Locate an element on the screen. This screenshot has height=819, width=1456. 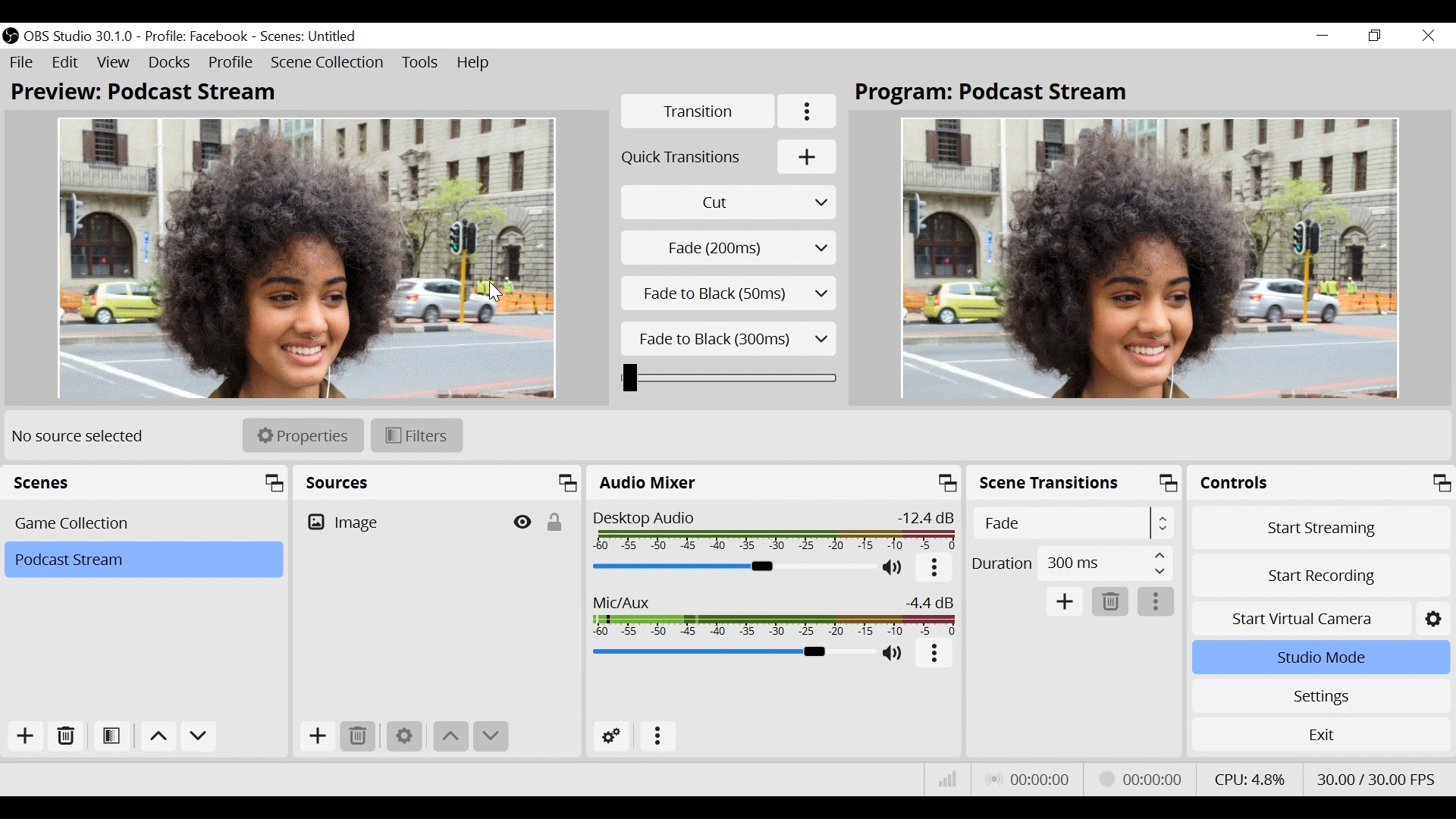
No source selected is located at coordinates (83, 436).